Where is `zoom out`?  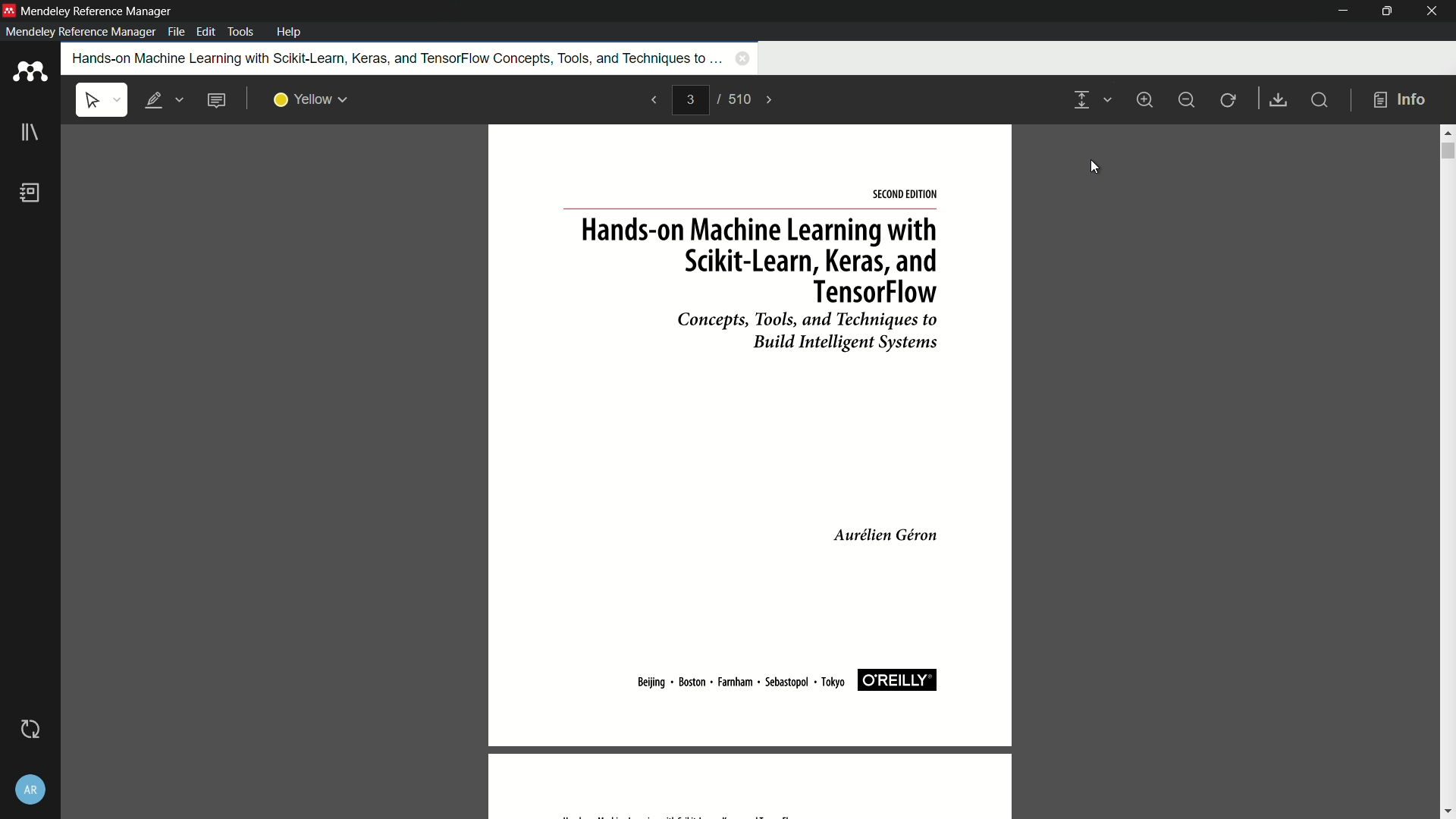 zoom out is located at coordinates (1186, 101).